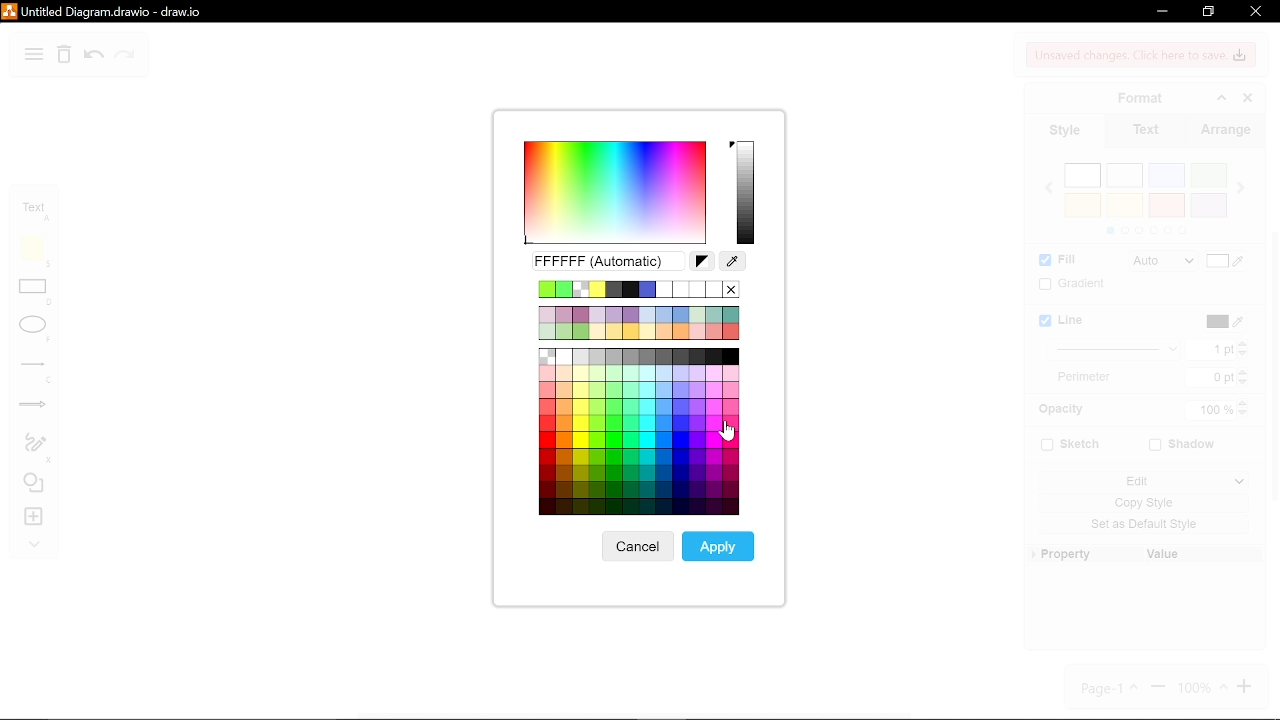  I want to click on Current spectrum, so click(747, 191).